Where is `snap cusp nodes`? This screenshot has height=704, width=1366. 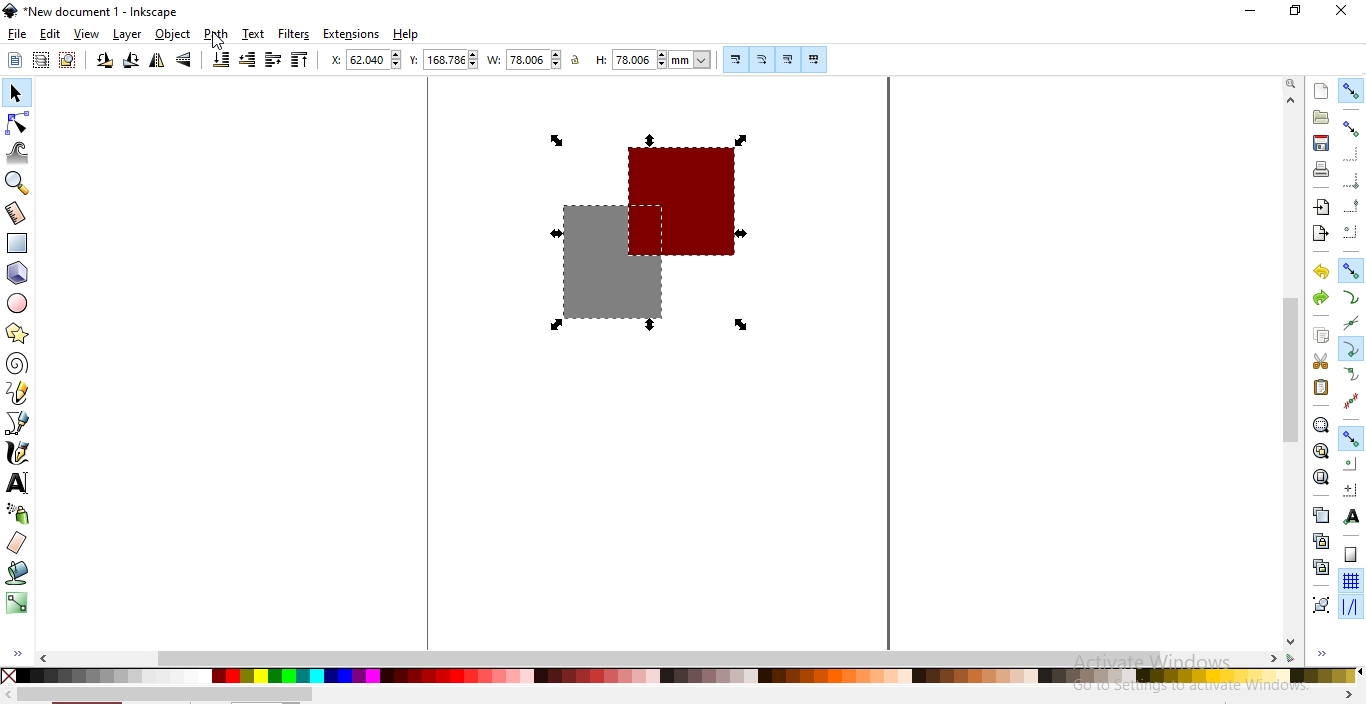
snap cusp nodes is located at coordinates (1352, 349).